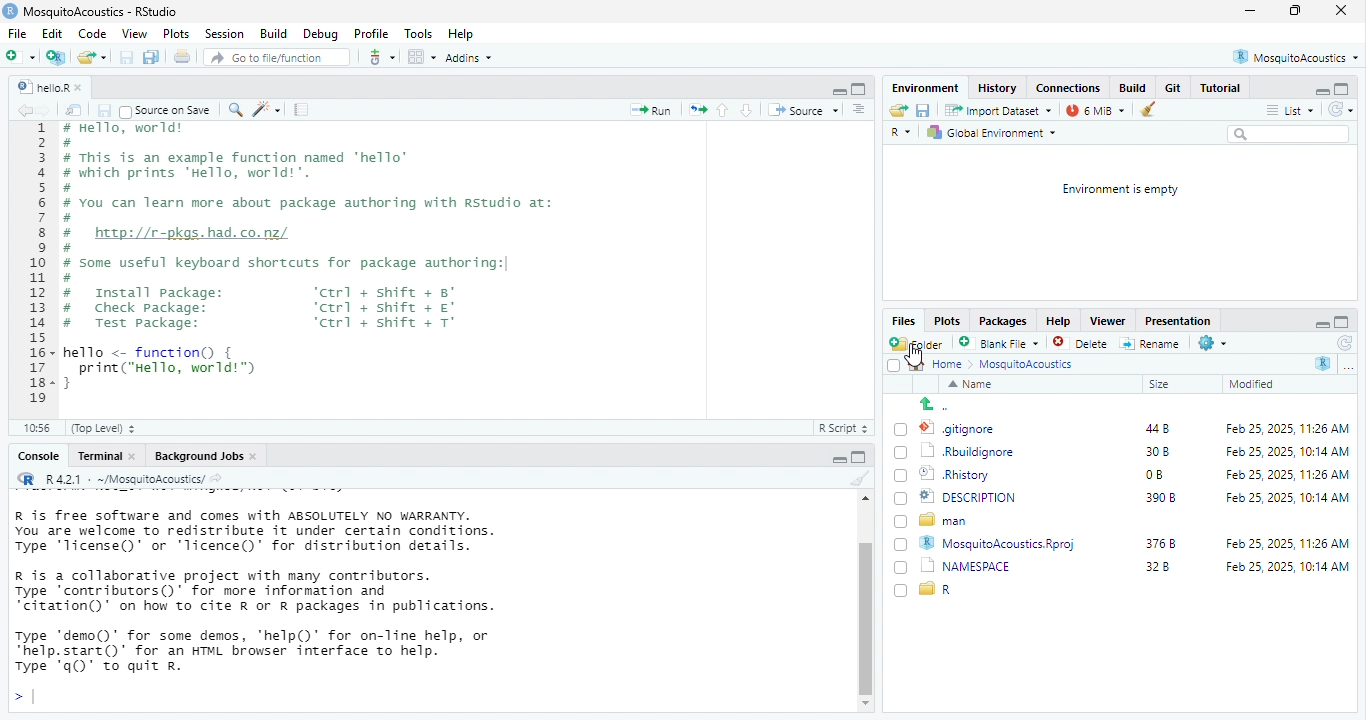 This screenshot has height=720, width=1366. What do you see at coordinates (1167, 570) in the screenshot?
I see `32b` at bounding box center [1167, 570].